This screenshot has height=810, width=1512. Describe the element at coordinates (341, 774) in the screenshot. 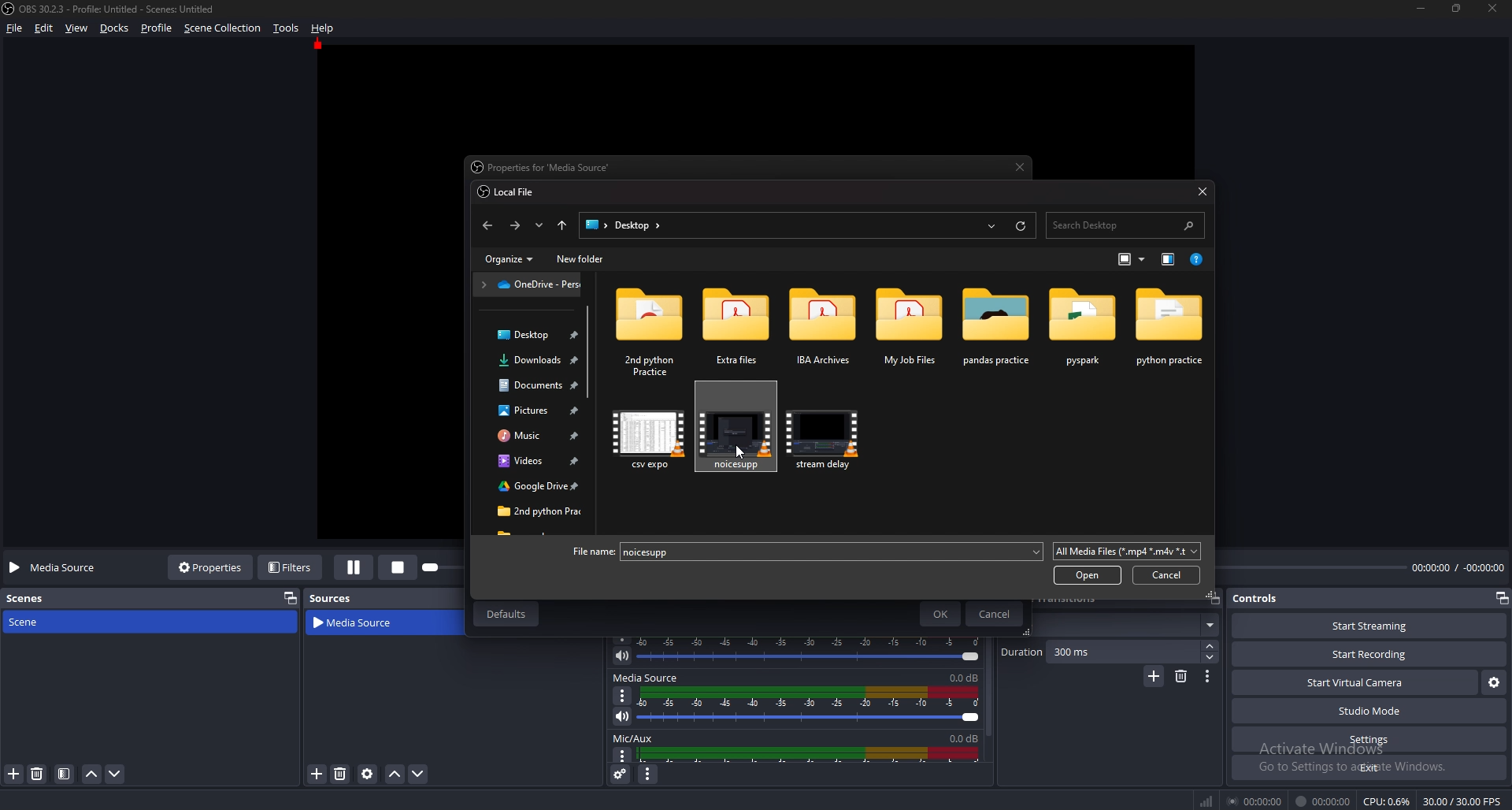

I see `Delete sources` at that location.